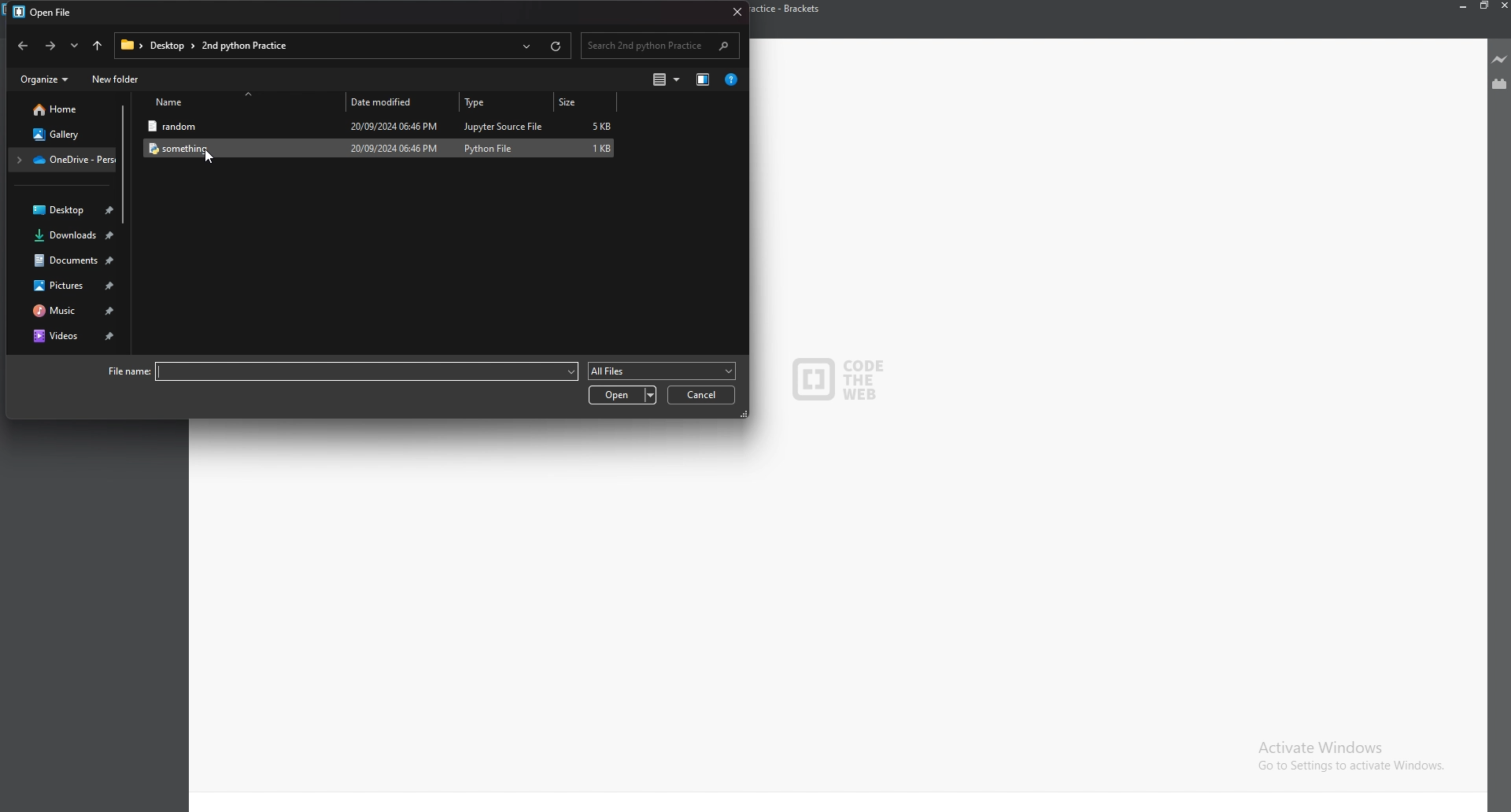  Describe the element at coordinates (1464, 6) in the screenshot. I see `minimize` at that location.